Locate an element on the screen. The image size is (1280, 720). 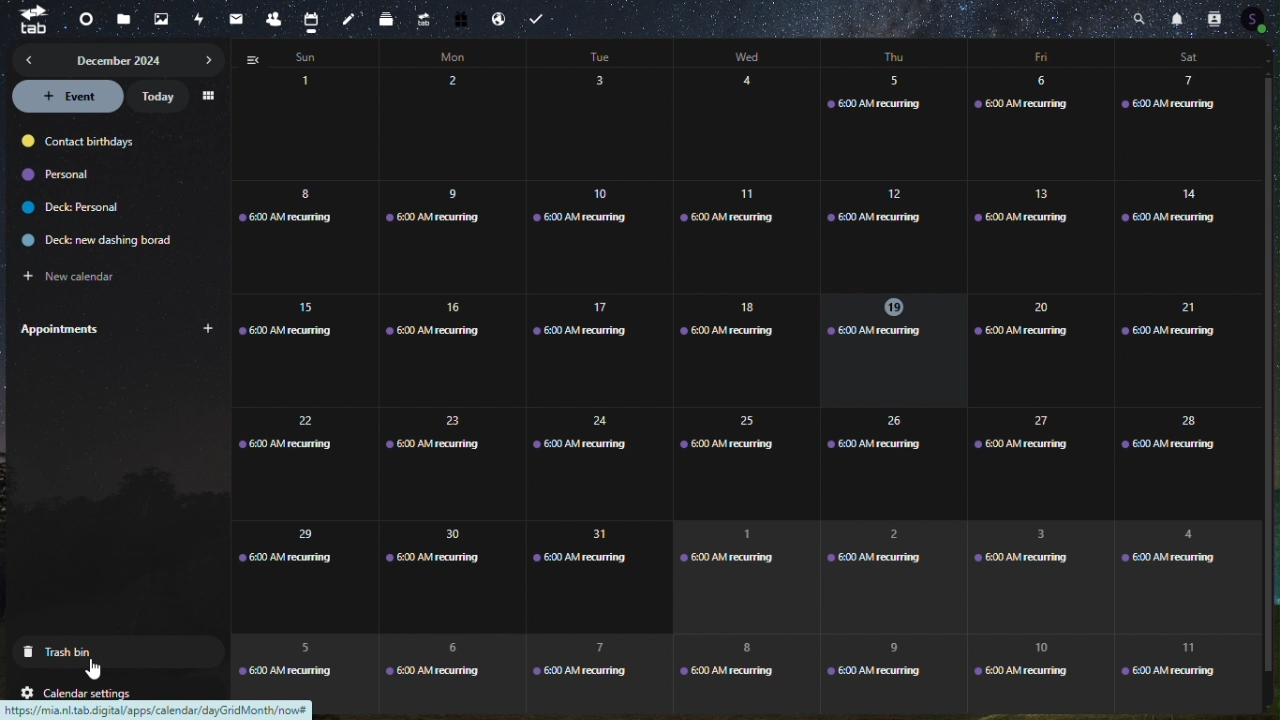
2 is located at coordinates (886, 568).